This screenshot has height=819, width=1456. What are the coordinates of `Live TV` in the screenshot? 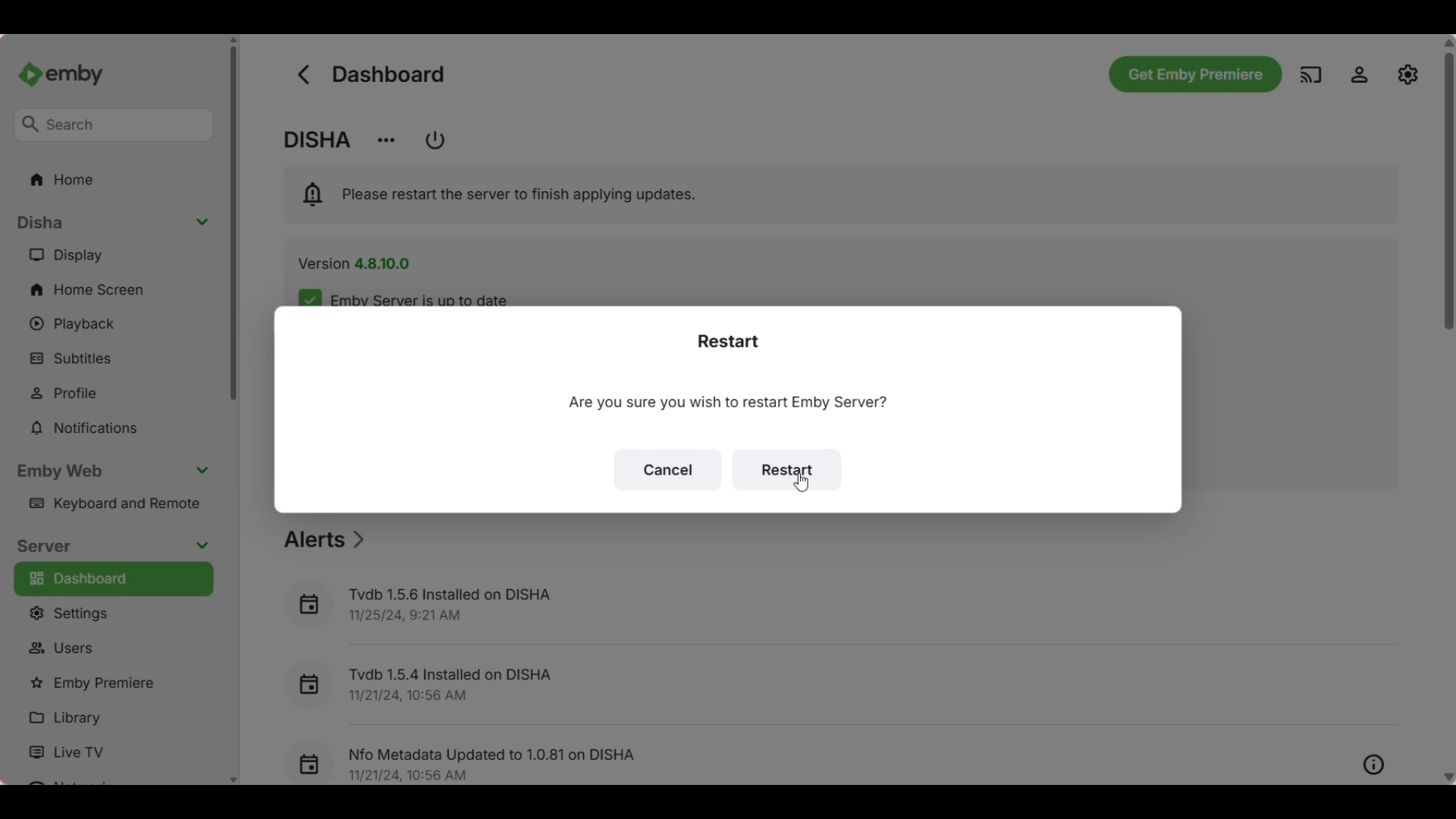 It's located at (110, 753).